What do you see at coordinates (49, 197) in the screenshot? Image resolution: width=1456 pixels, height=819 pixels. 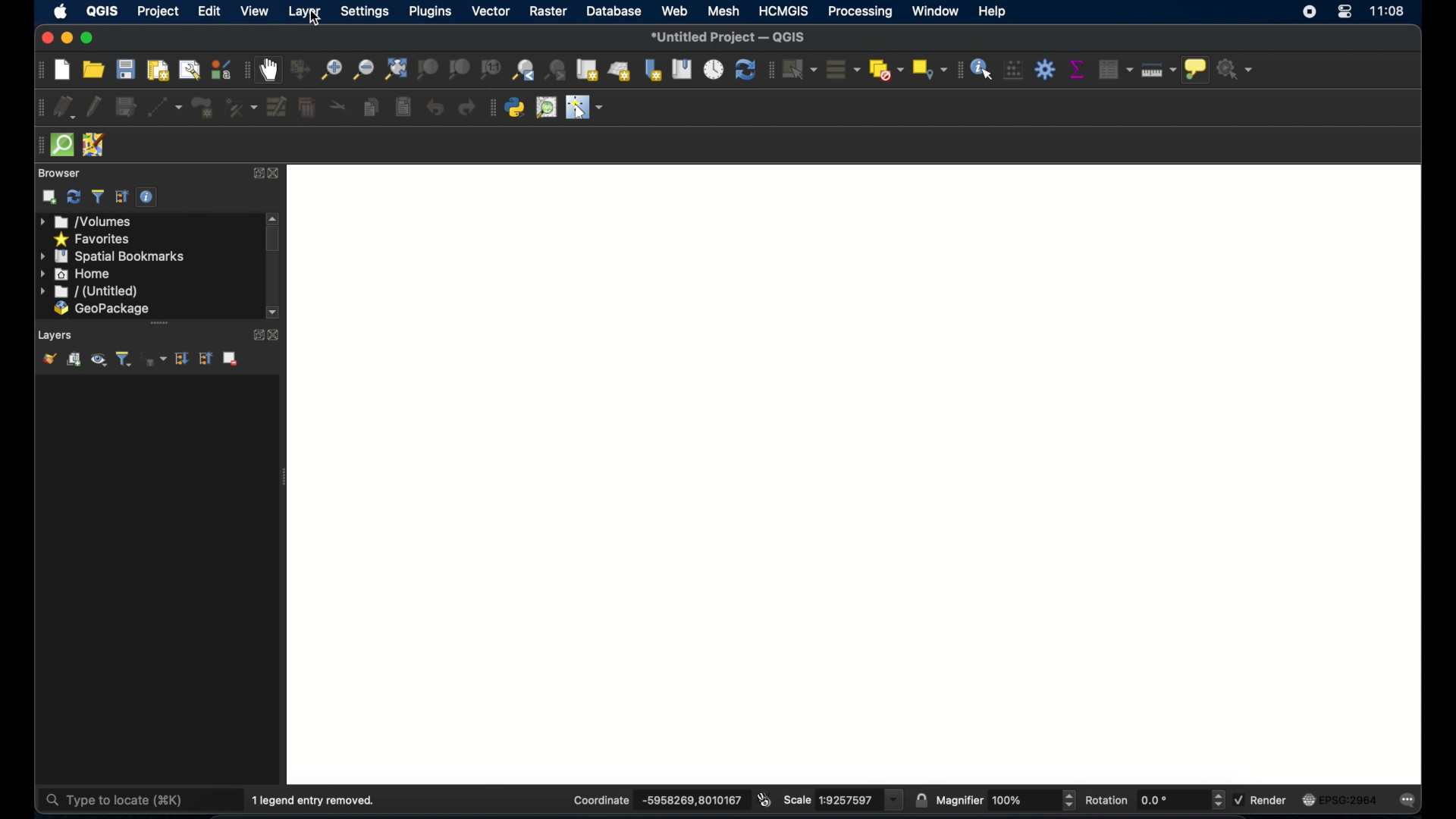 I see `add selected layers` at bounding box center [49, 197].